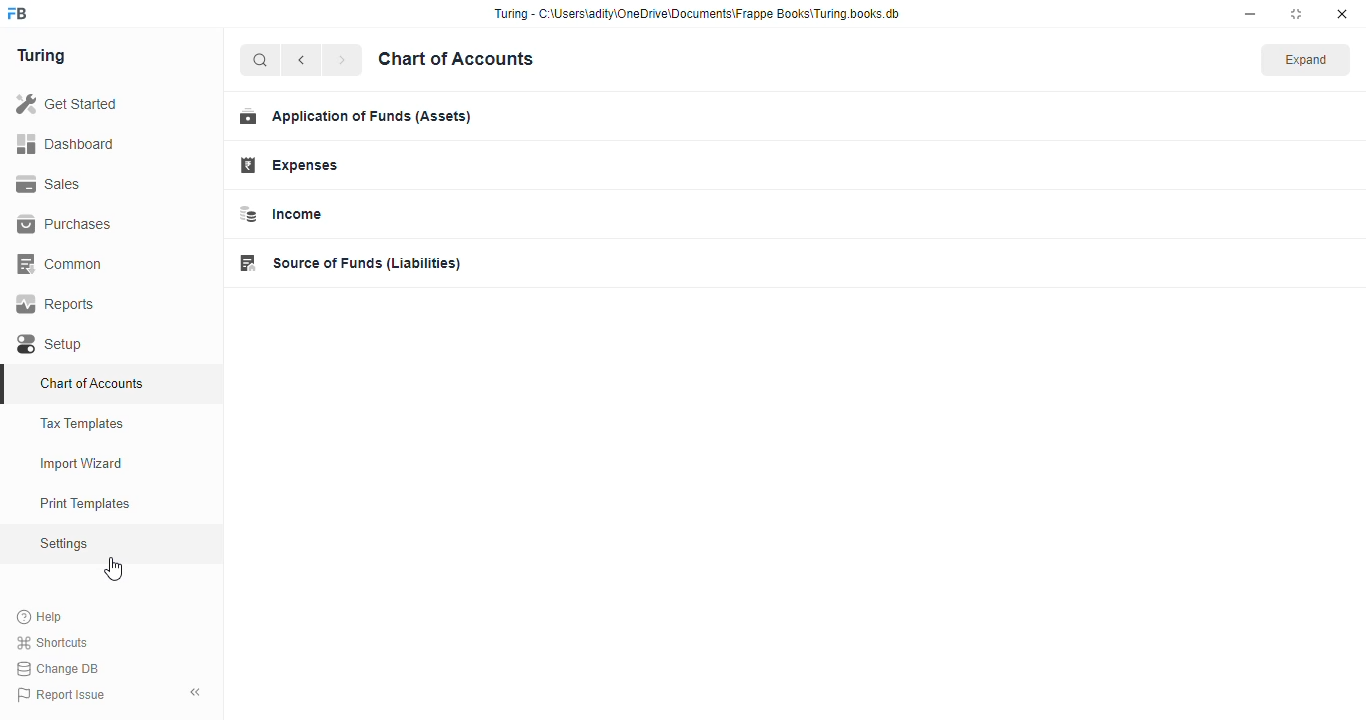 The height and width of the screenshot is (720, 1366). What do you see at coordinates (108, 304) in the screenshot?
I see `Reports.` at bounding box center [108, 304].